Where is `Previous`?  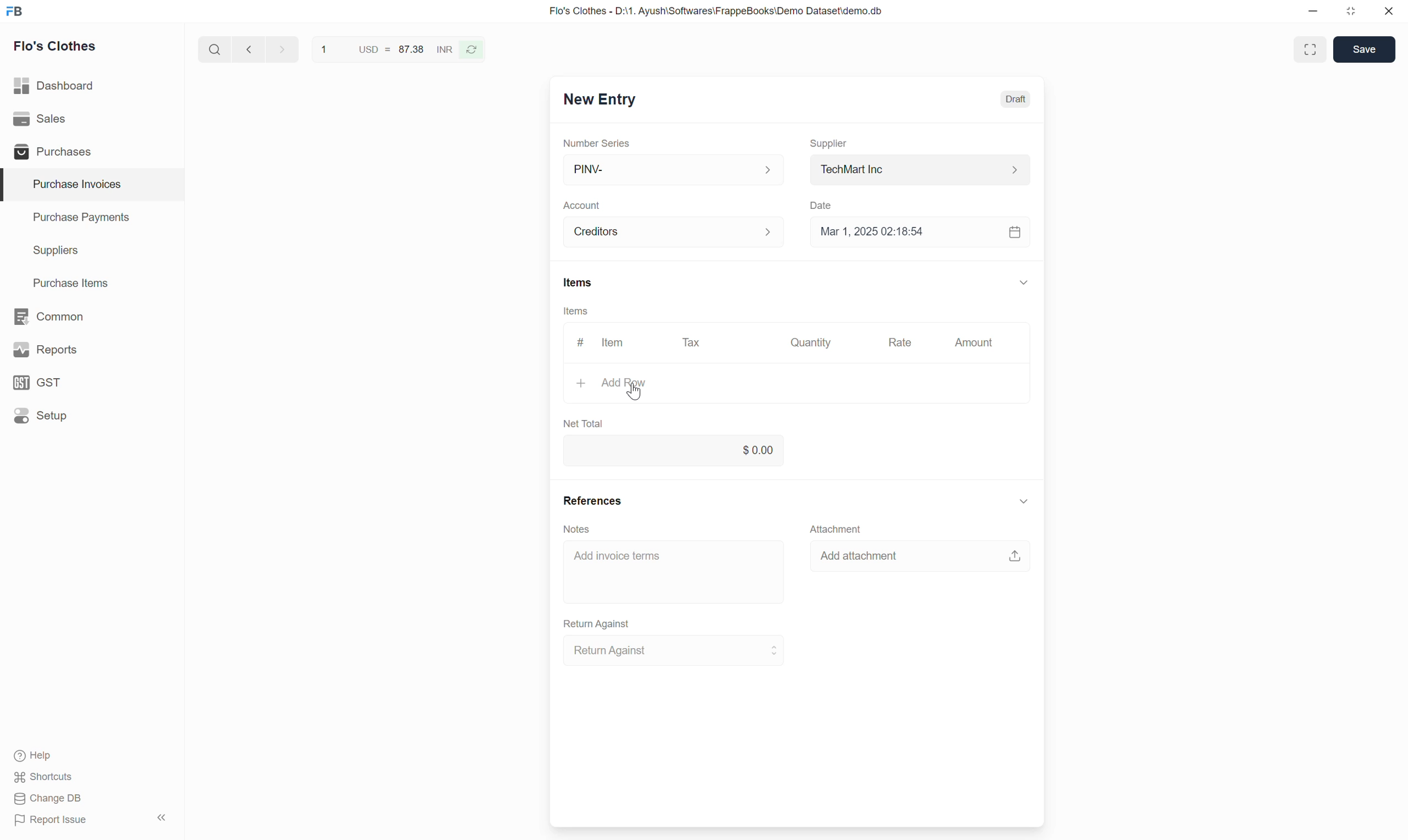
Previous is located at coordinates (249, 49).